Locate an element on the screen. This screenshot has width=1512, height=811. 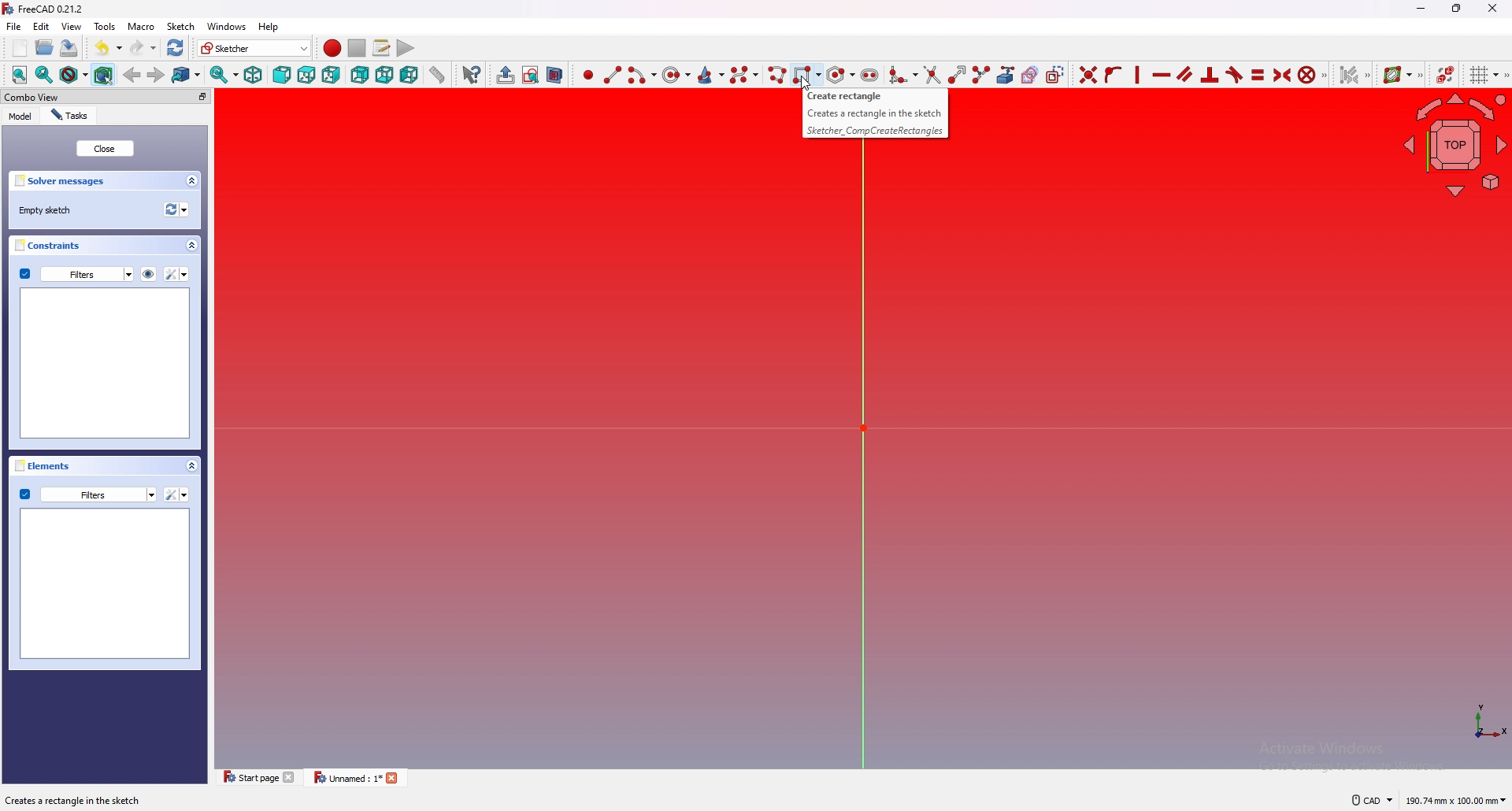
preview is located at coordinates (104, 363).